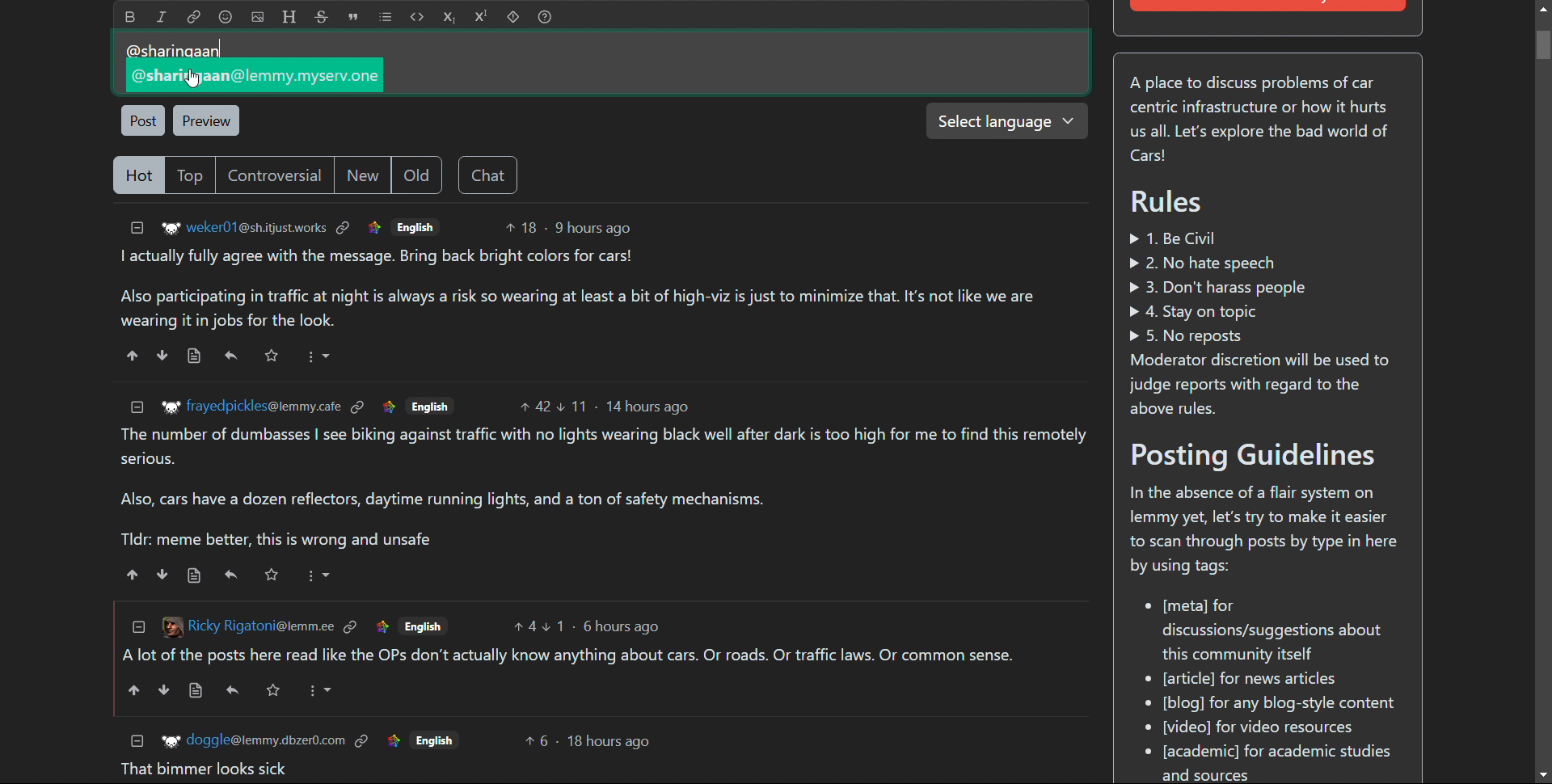 The height and width of the screenshot is (784, 1552). Describe the element at coordinates (430, 404) in the screenshot. I see `English` at that location.